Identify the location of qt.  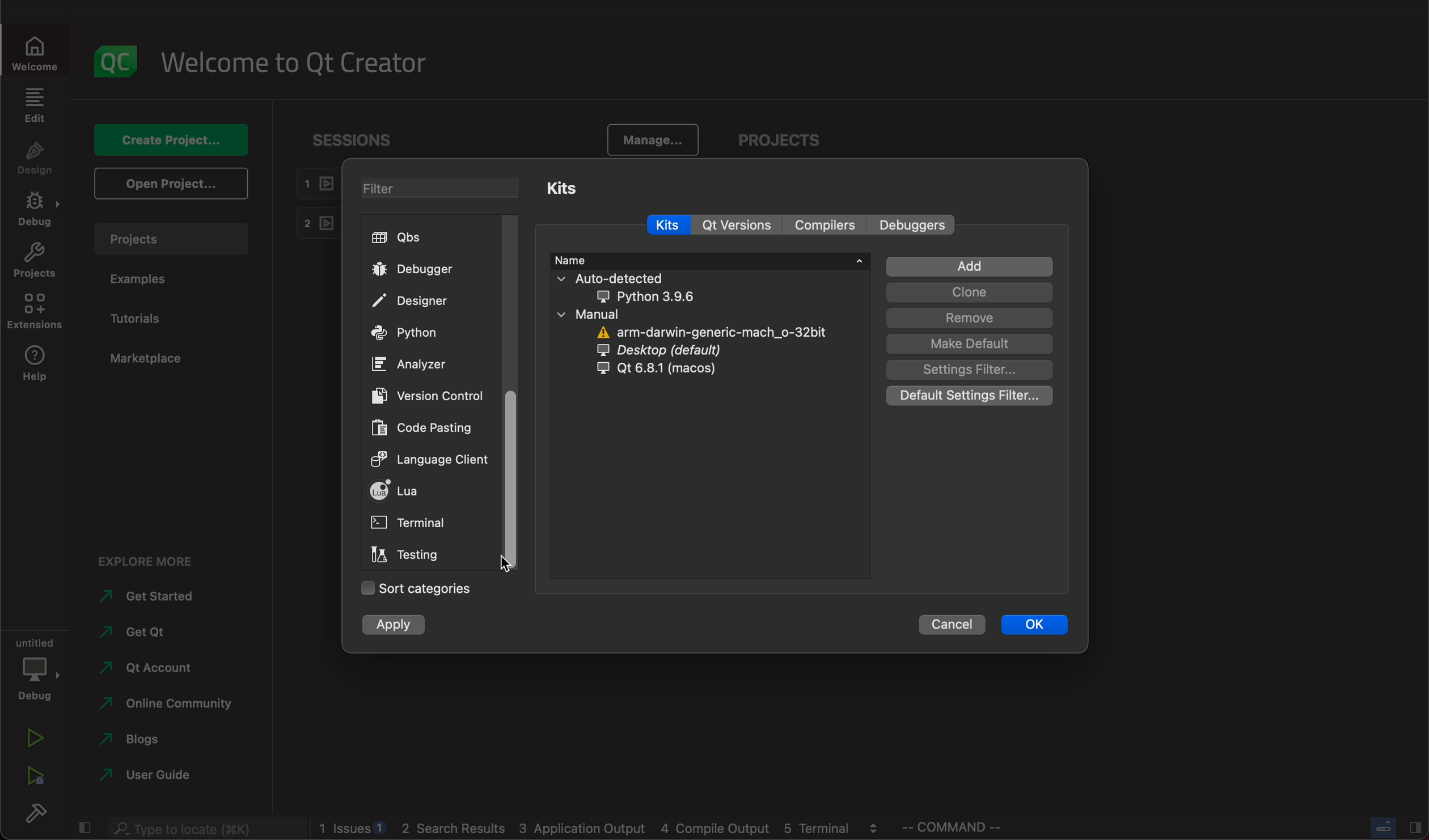
(736, 225).